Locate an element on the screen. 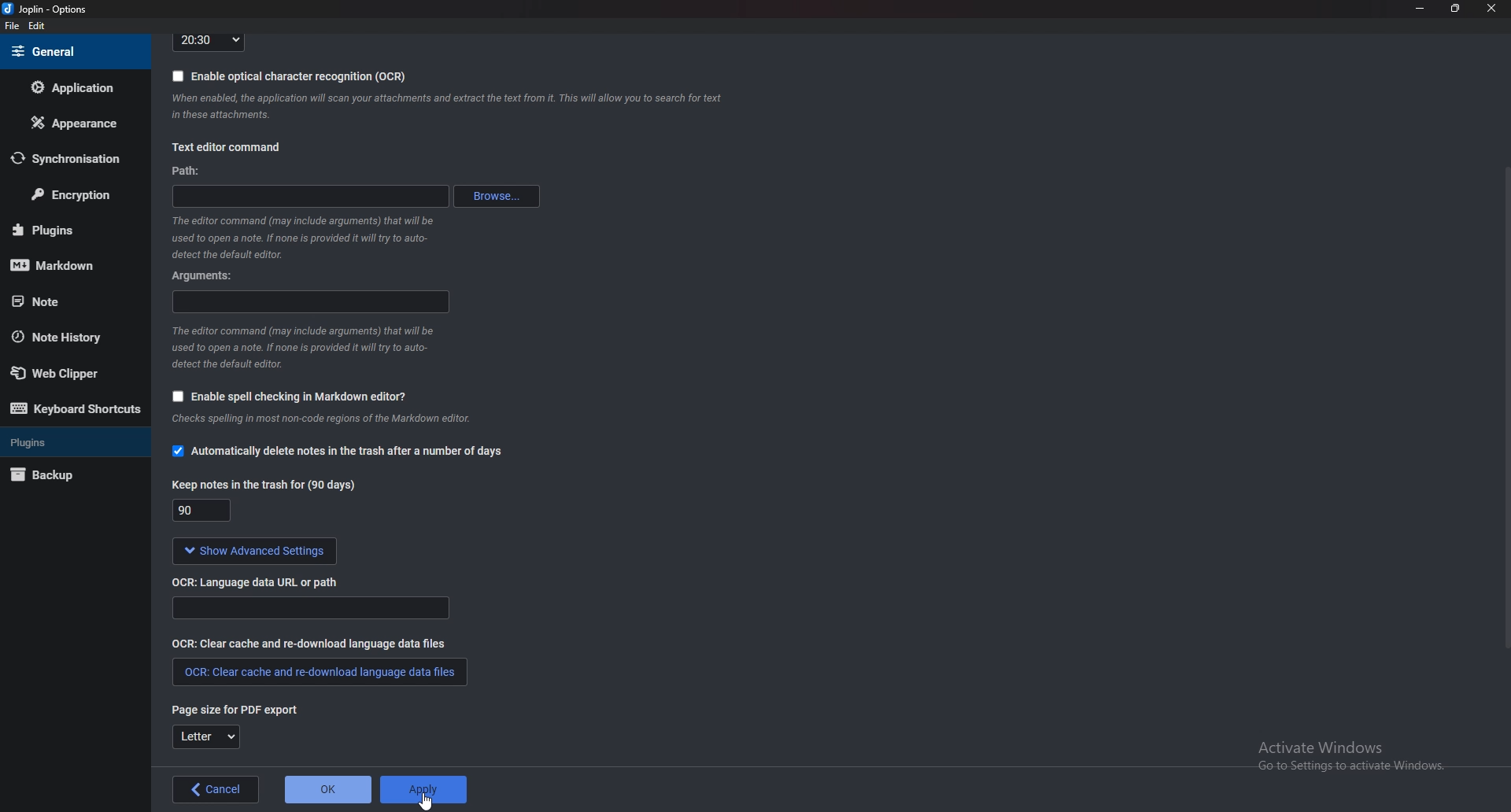 The width and height of the screenshot is (1511, 812). Enable O C R is located at coordinates (290, 76).